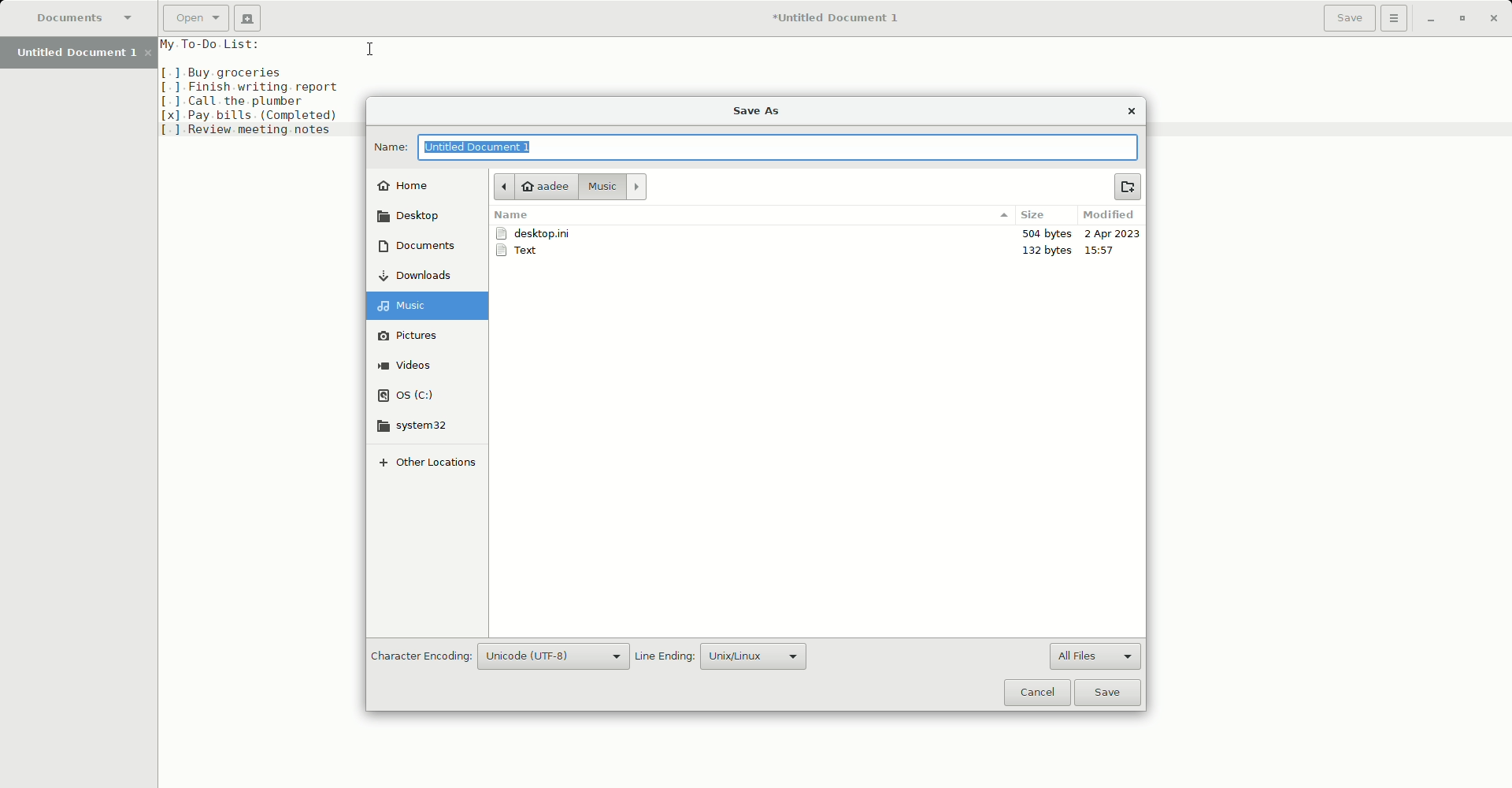 This screenshot has width=1512, height=788. I want to click on Size, so click(1039, 215).